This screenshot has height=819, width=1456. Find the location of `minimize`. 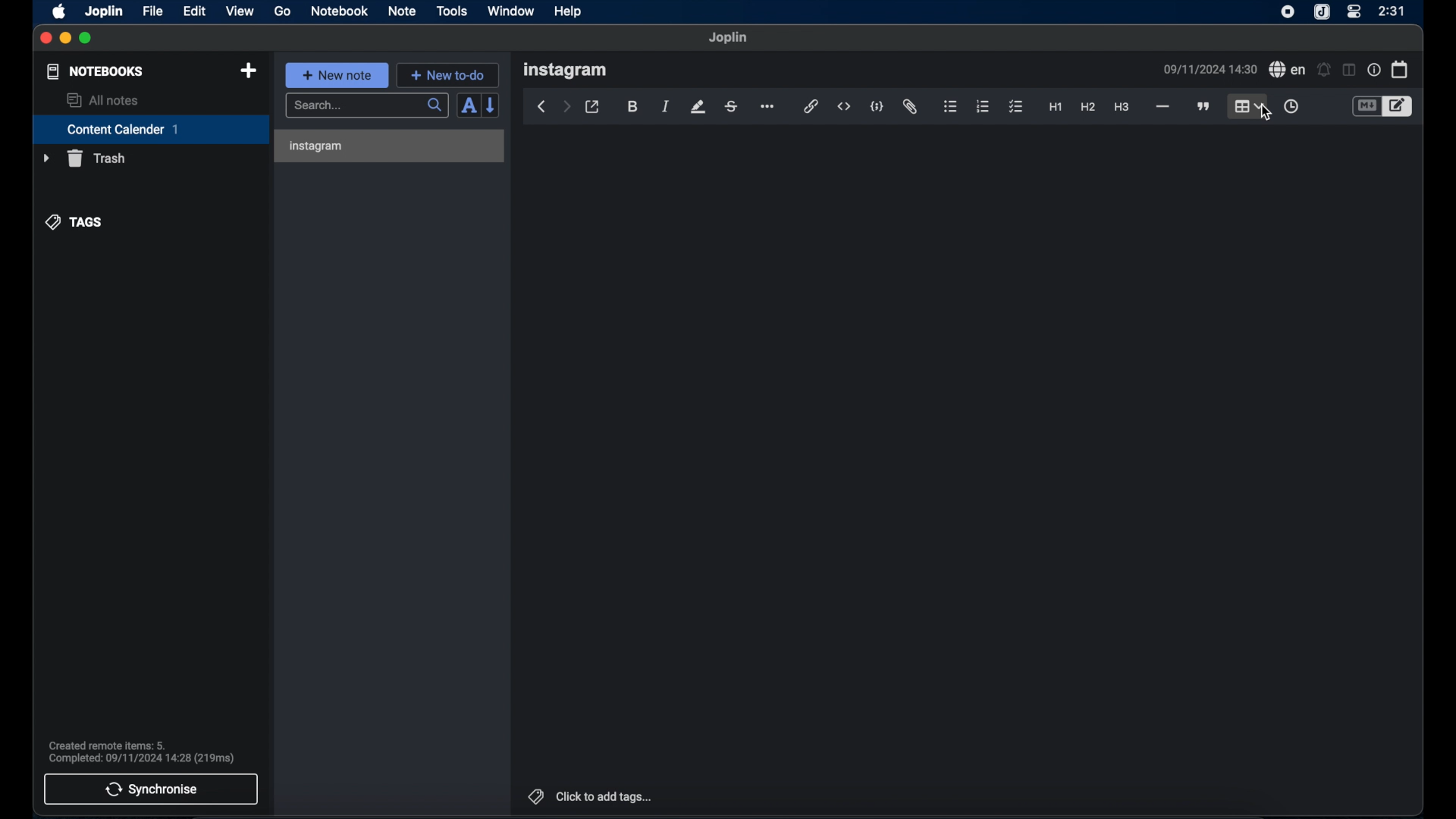

minimize is located at coordinates (64, 39).